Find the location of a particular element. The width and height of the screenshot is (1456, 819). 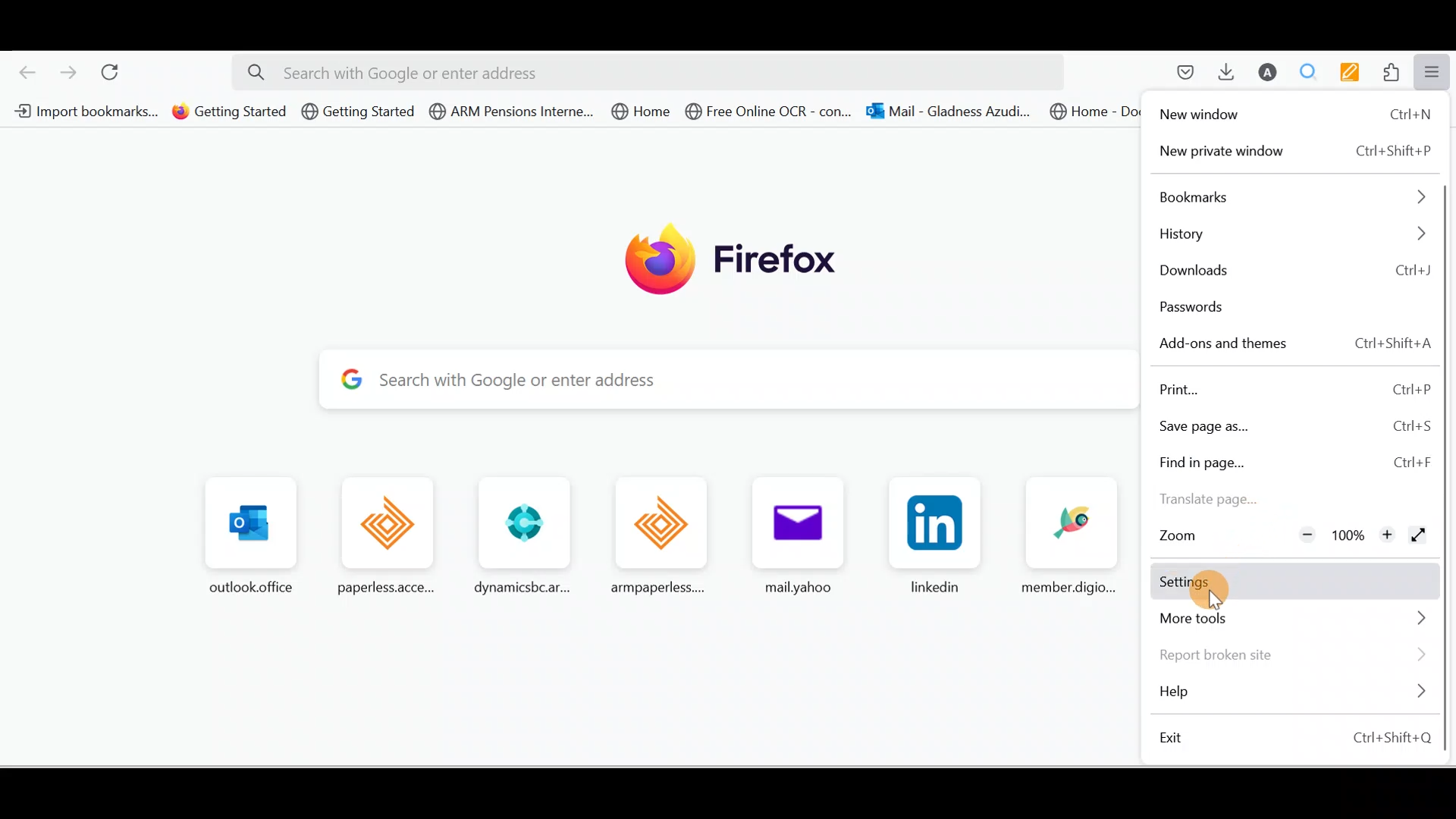

Add-ons and themes  Ctrl+Shift+A is located at coordinates (1291, 344).